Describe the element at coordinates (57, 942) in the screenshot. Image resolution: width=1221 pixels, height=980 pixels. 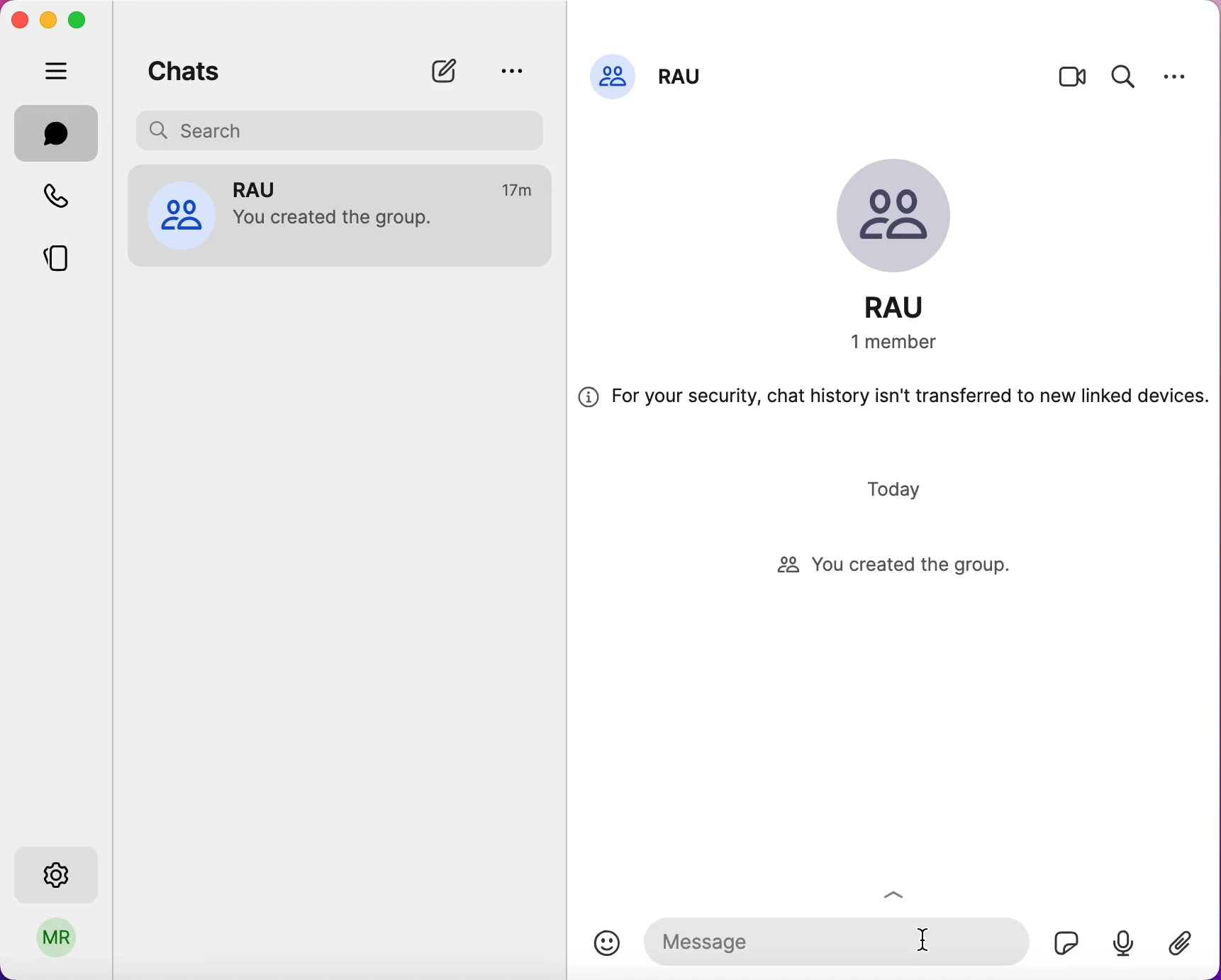
I see `user` at that location.